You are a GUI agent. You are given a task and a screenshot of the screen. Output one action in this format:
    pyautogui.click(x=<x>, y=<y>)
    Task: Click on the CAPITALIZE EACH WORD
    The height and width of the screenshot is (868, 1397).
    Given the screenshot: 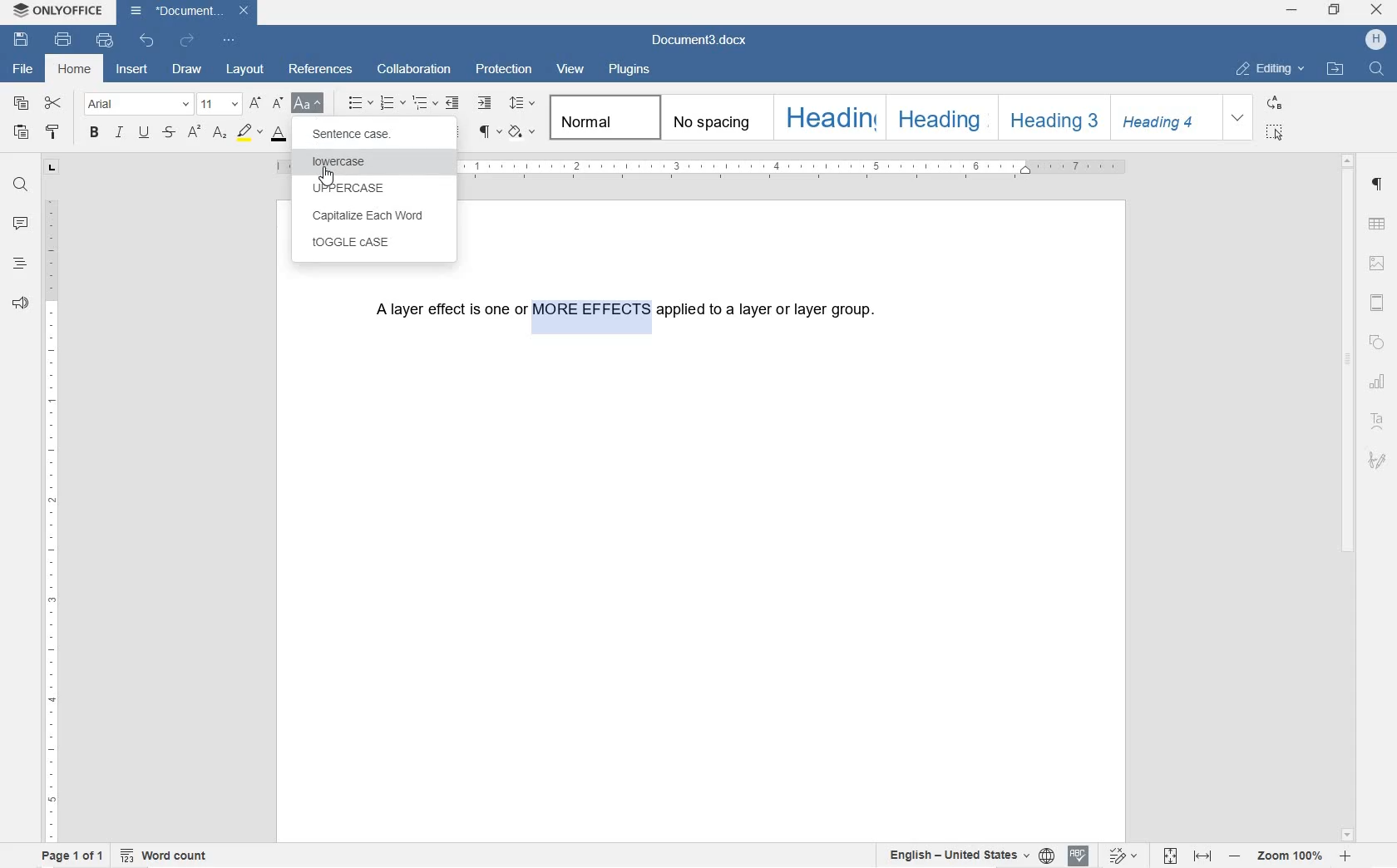 What is the action you would take?
    pyautogui.click(x=376, y=216)
    